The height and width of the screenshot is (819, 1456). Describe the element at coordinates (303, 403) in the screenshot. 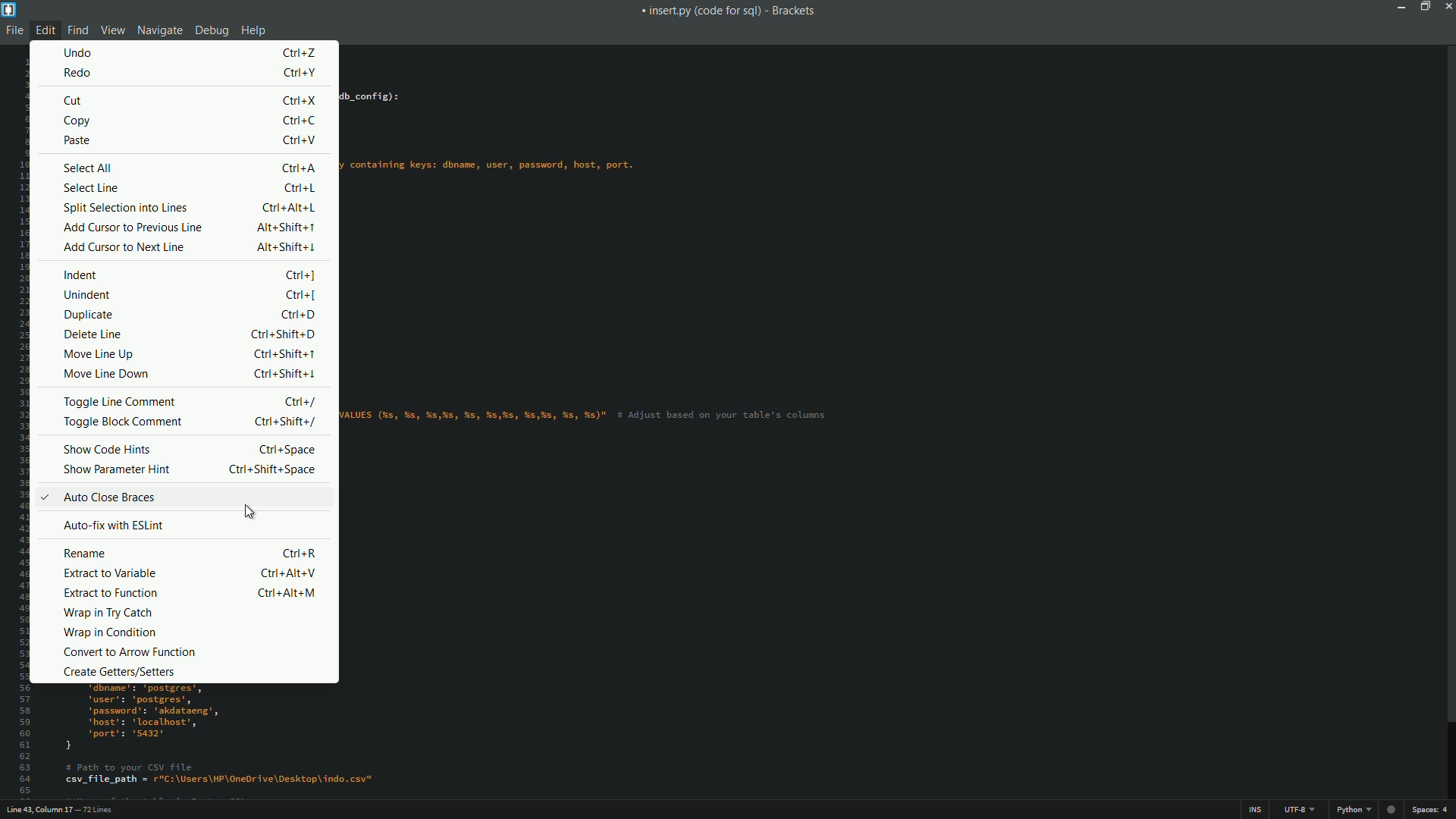

I see `keyboard shortcut` at that location.